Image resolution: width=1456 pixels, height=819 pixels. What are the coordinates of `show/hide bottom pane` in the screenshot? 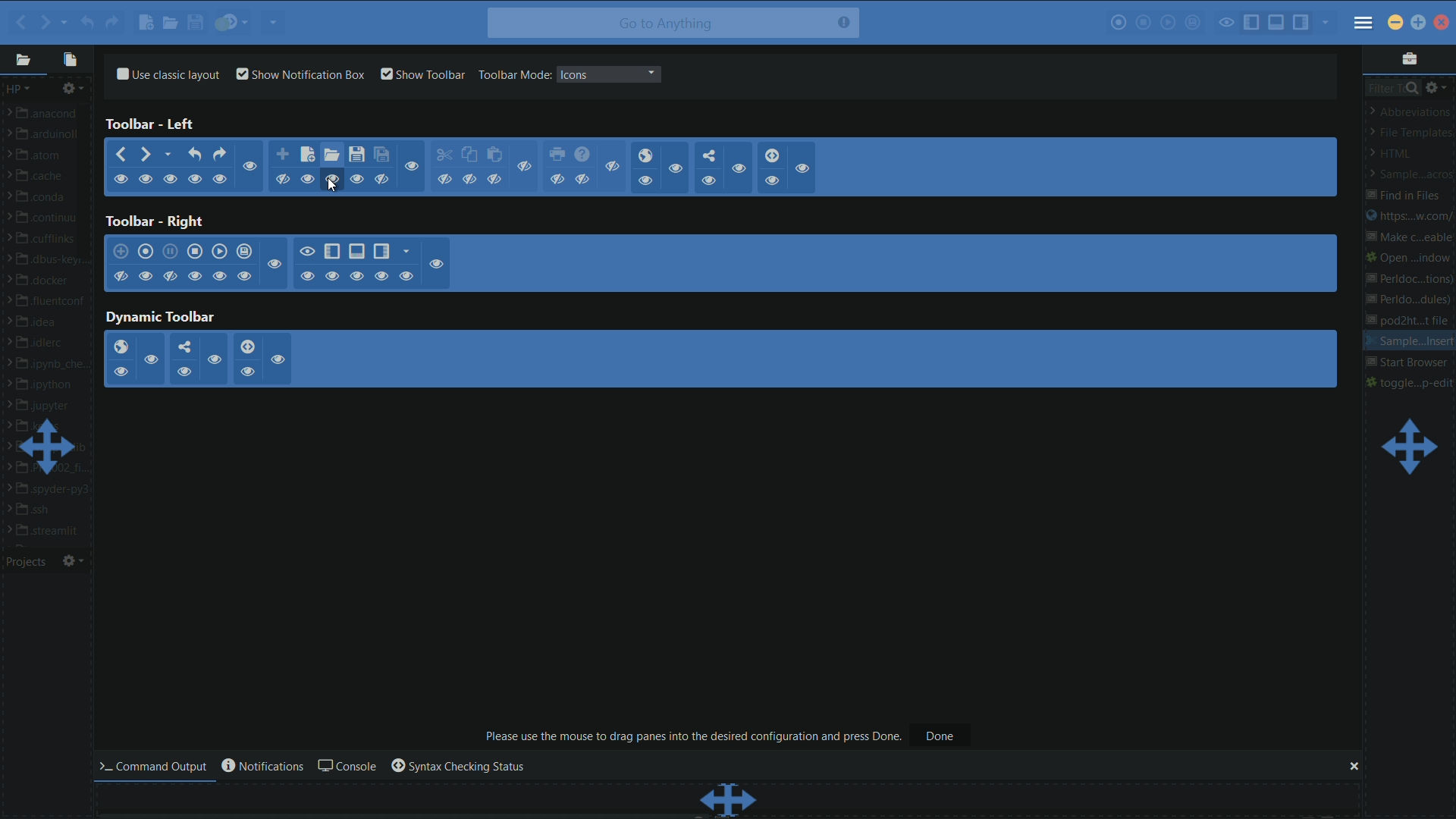 It's located at (1277, 22).